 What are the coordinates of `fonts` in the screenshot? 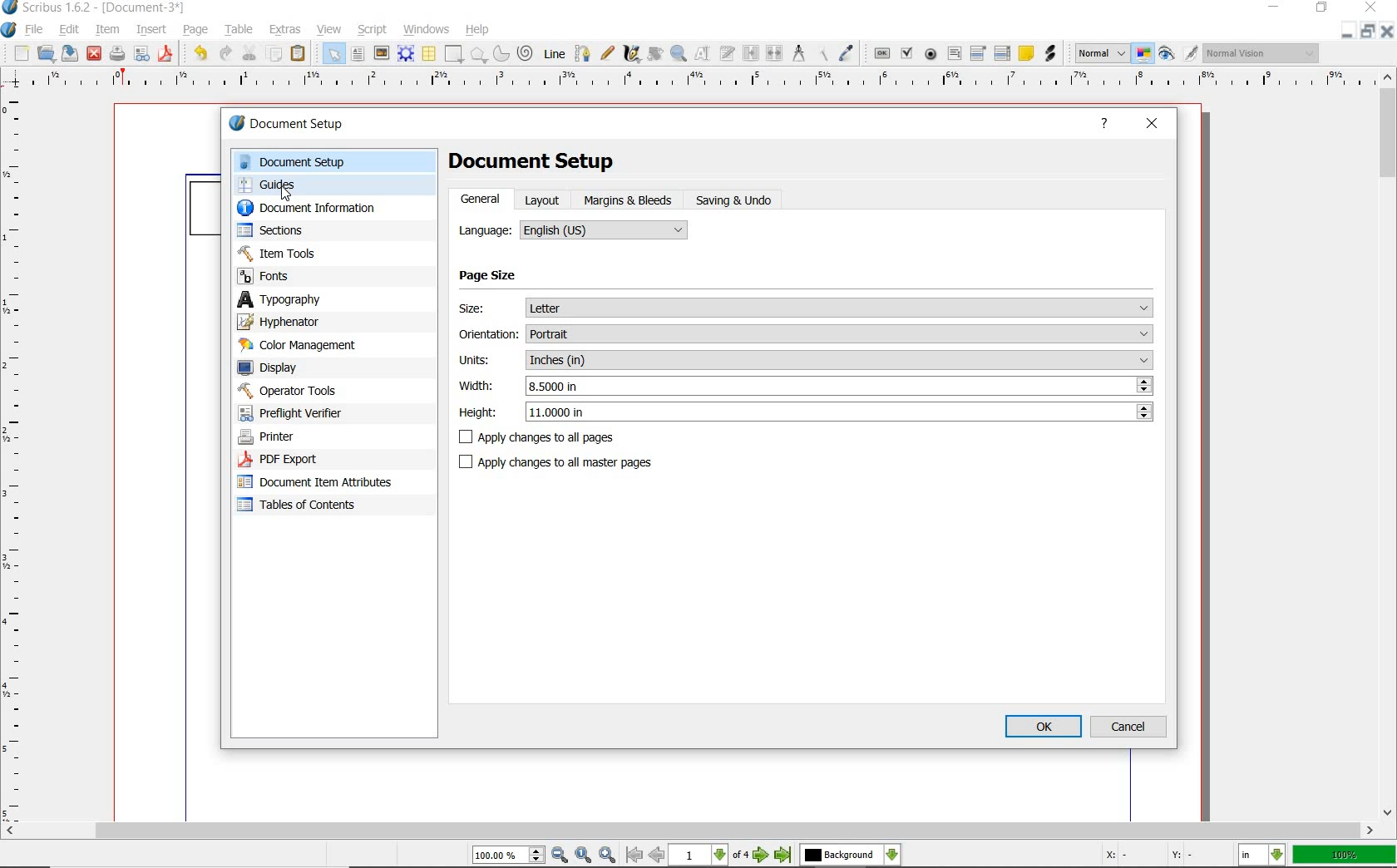 It's located at (334, 275).